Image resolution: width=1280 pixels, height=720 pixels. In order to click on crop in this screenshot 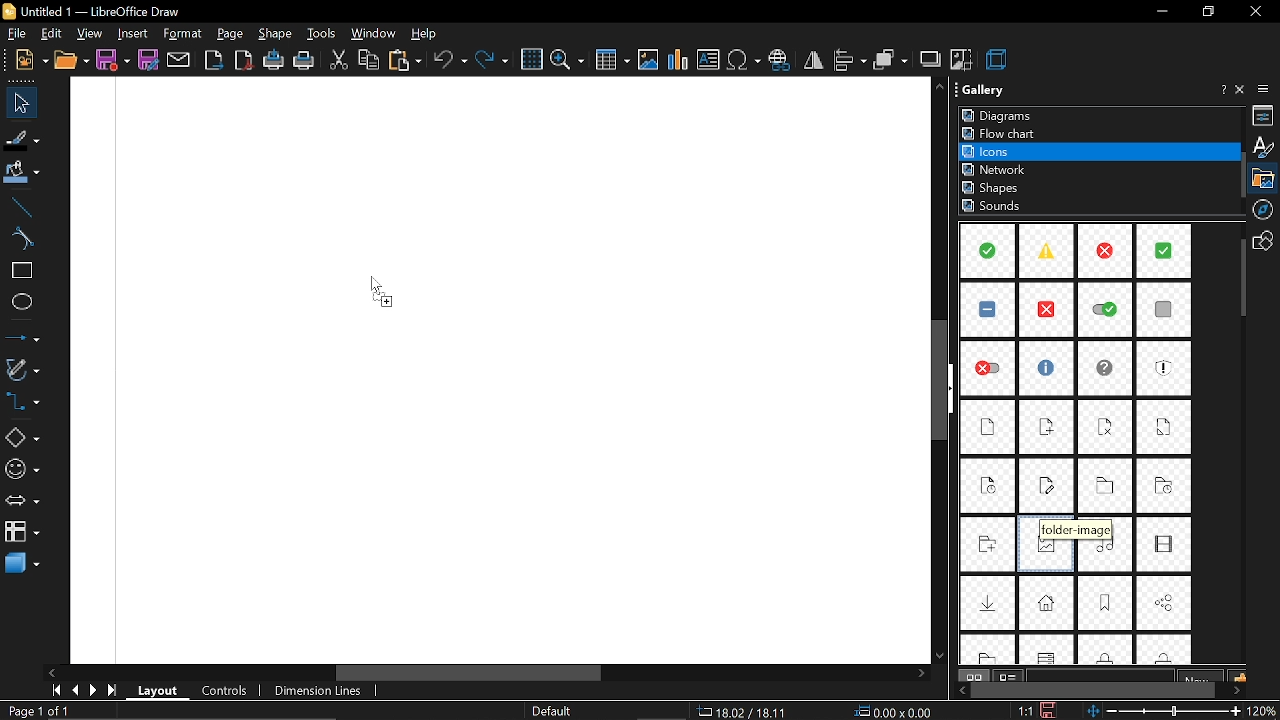, I will do `click(962, 62)`.